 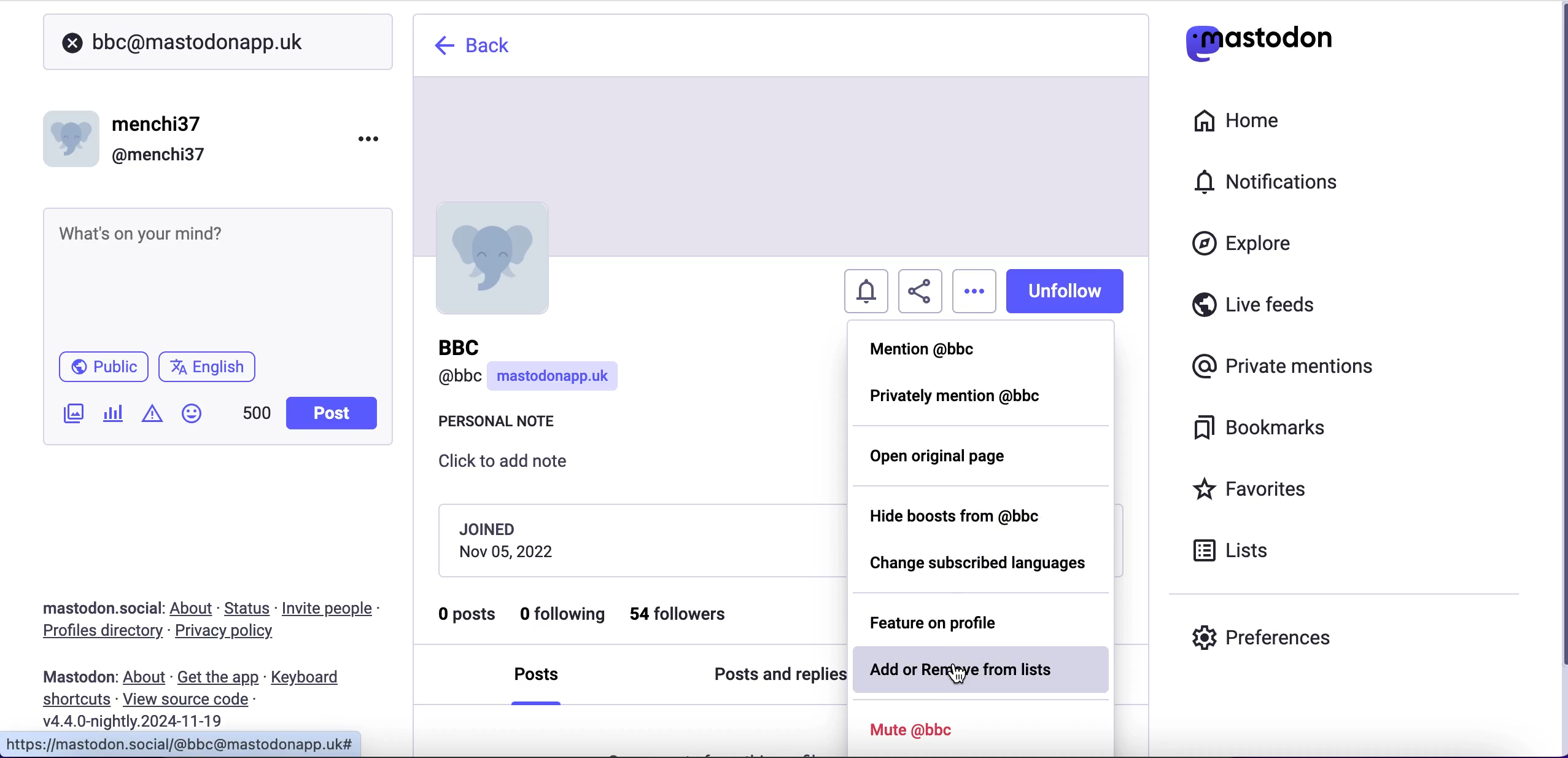 I want to click on status, so click(x=249, y=608).